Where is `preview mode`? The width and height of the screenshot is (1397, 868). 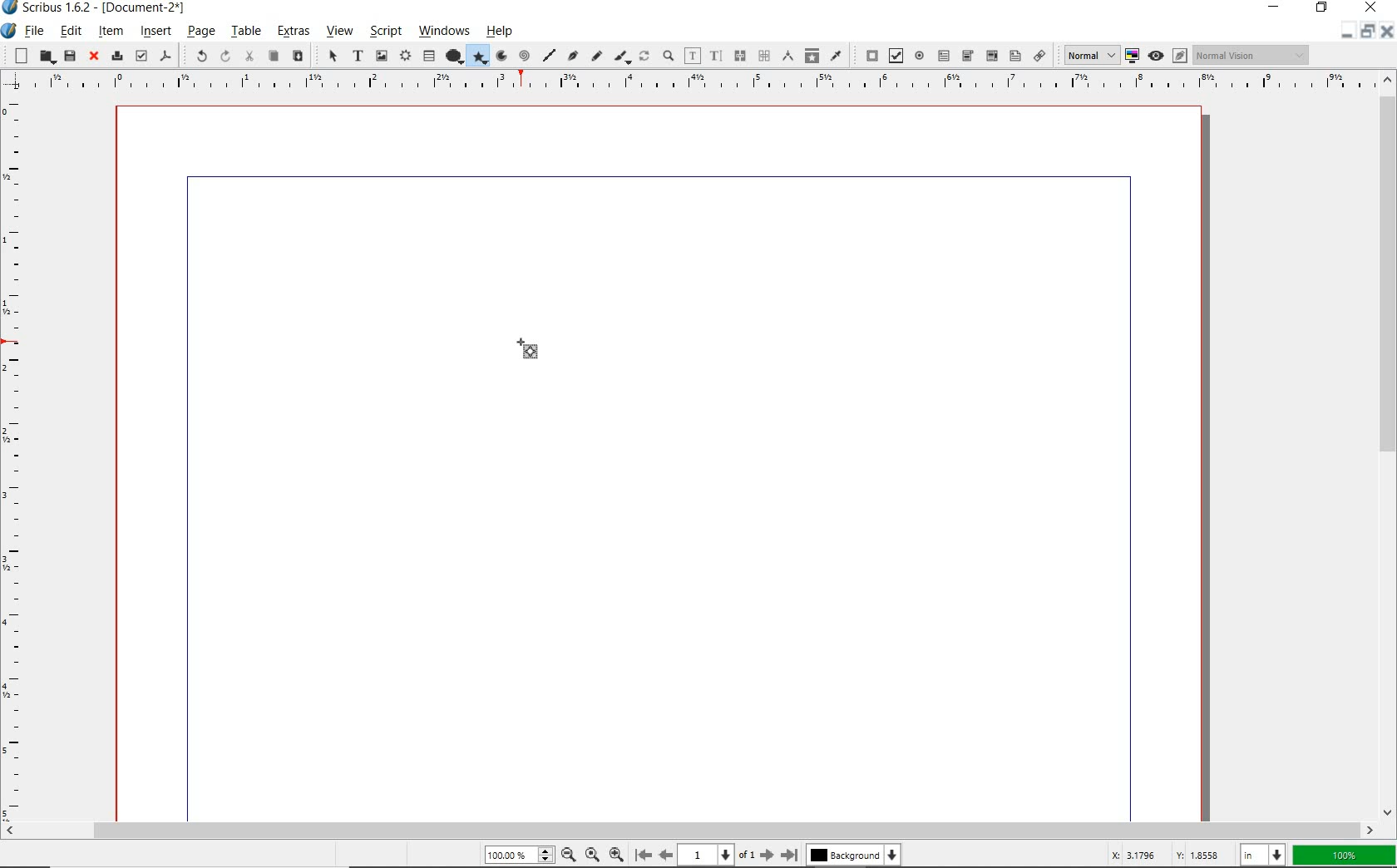
preview mode is located at coordinates (1167, 56).